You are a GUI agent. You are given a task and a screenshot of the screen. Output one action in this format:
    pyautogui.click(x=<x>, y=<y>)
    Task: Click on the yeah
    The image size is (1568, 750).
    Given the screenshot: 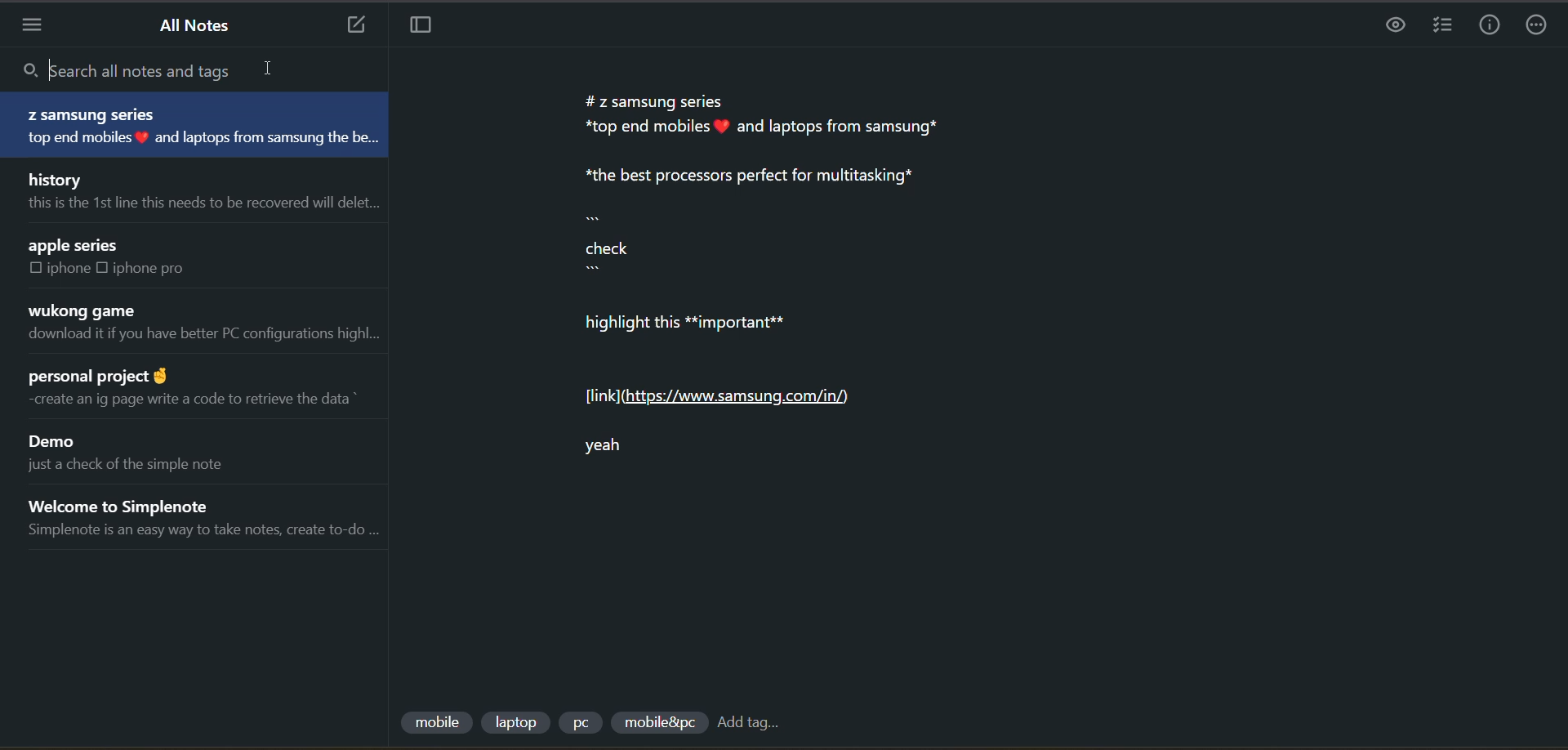 What is the action you would take?
    pyautogui.click(x=628, y=454)
    